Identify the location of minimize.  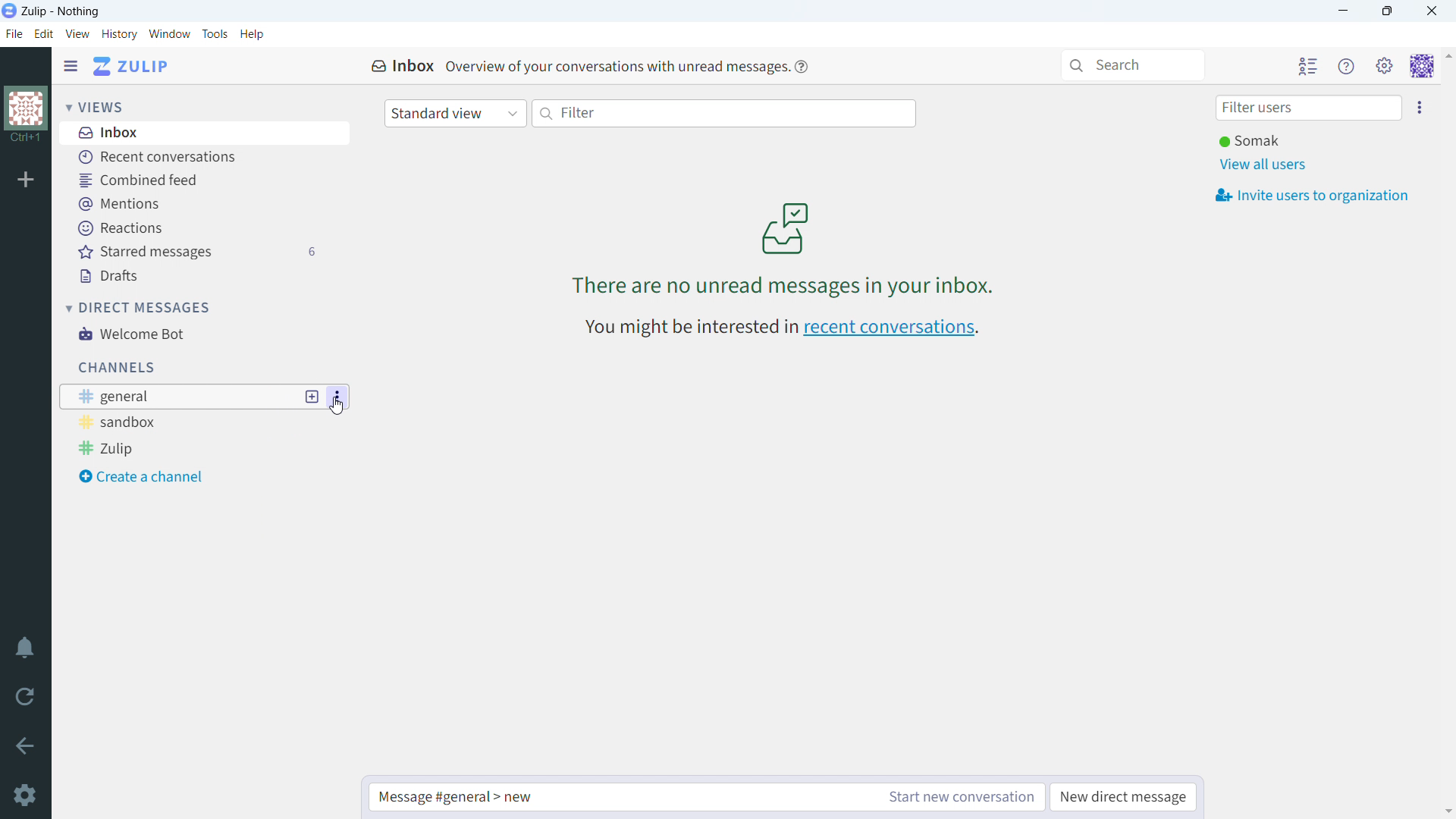
(1344, 11).